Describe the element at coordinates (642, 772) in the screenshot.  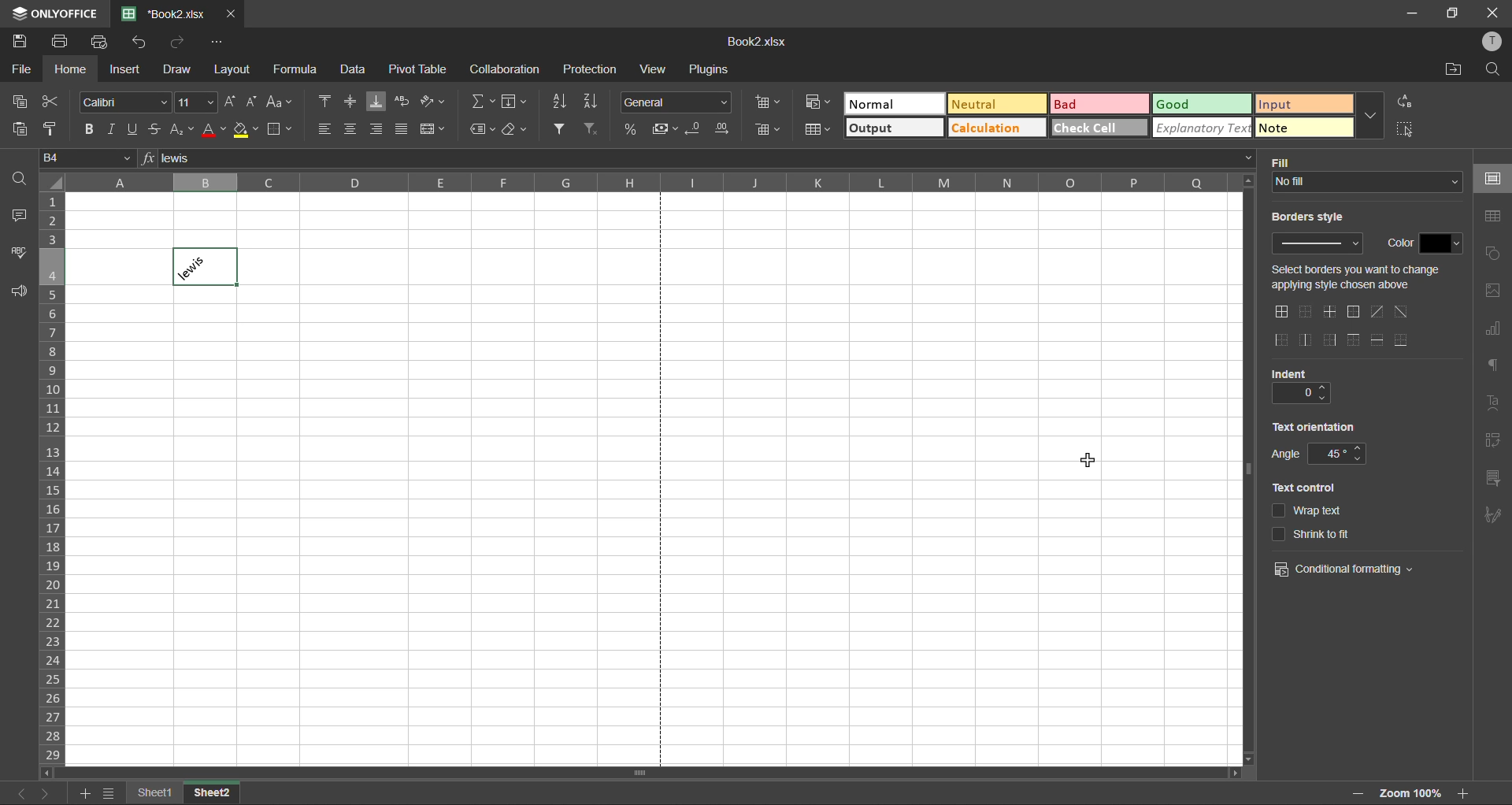
I see `horizontal scrollbar` at that location.